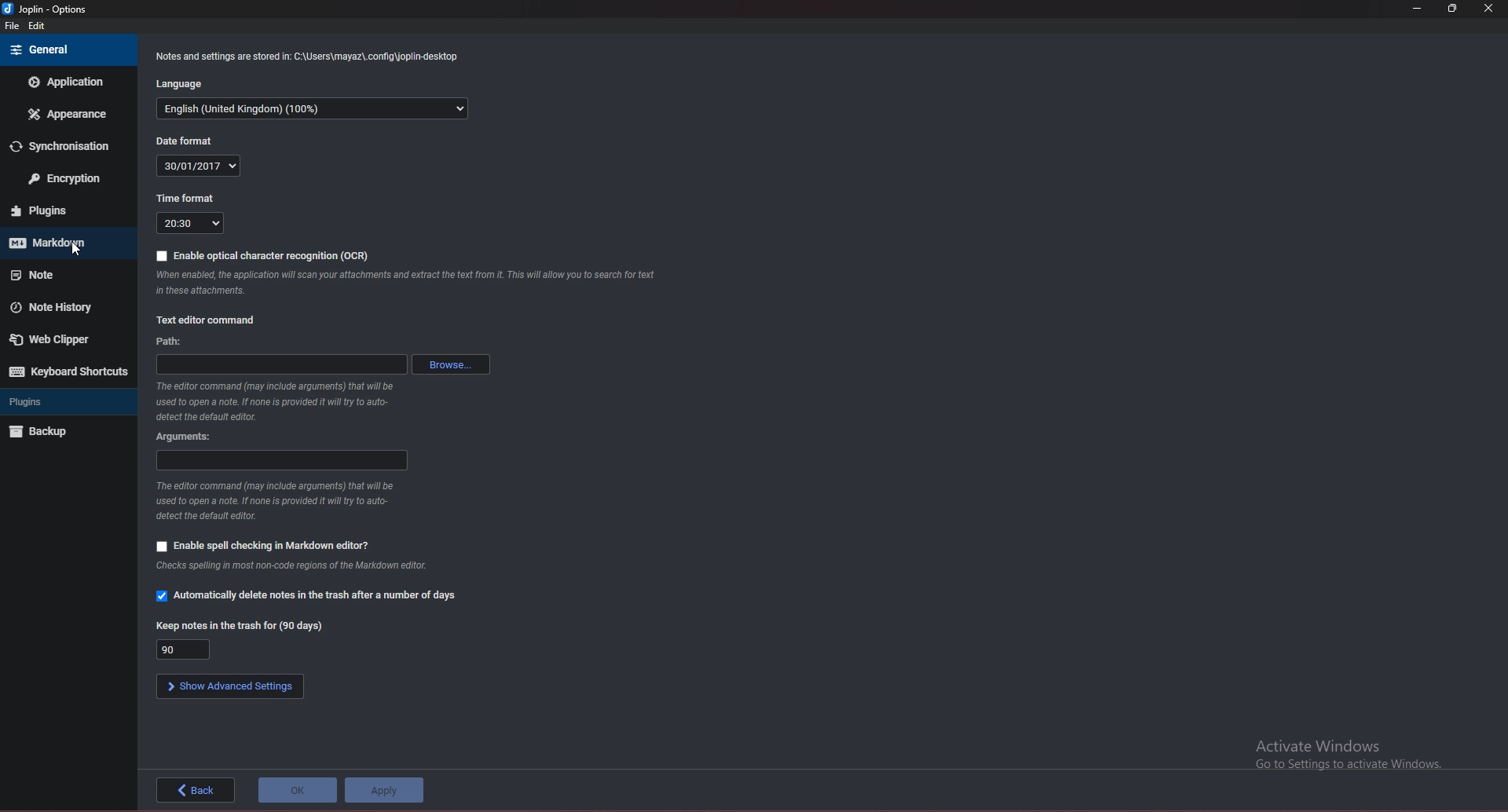 This screenshot has height=812, width=1508. I want to click on enable spell checking, so click(263, 547).